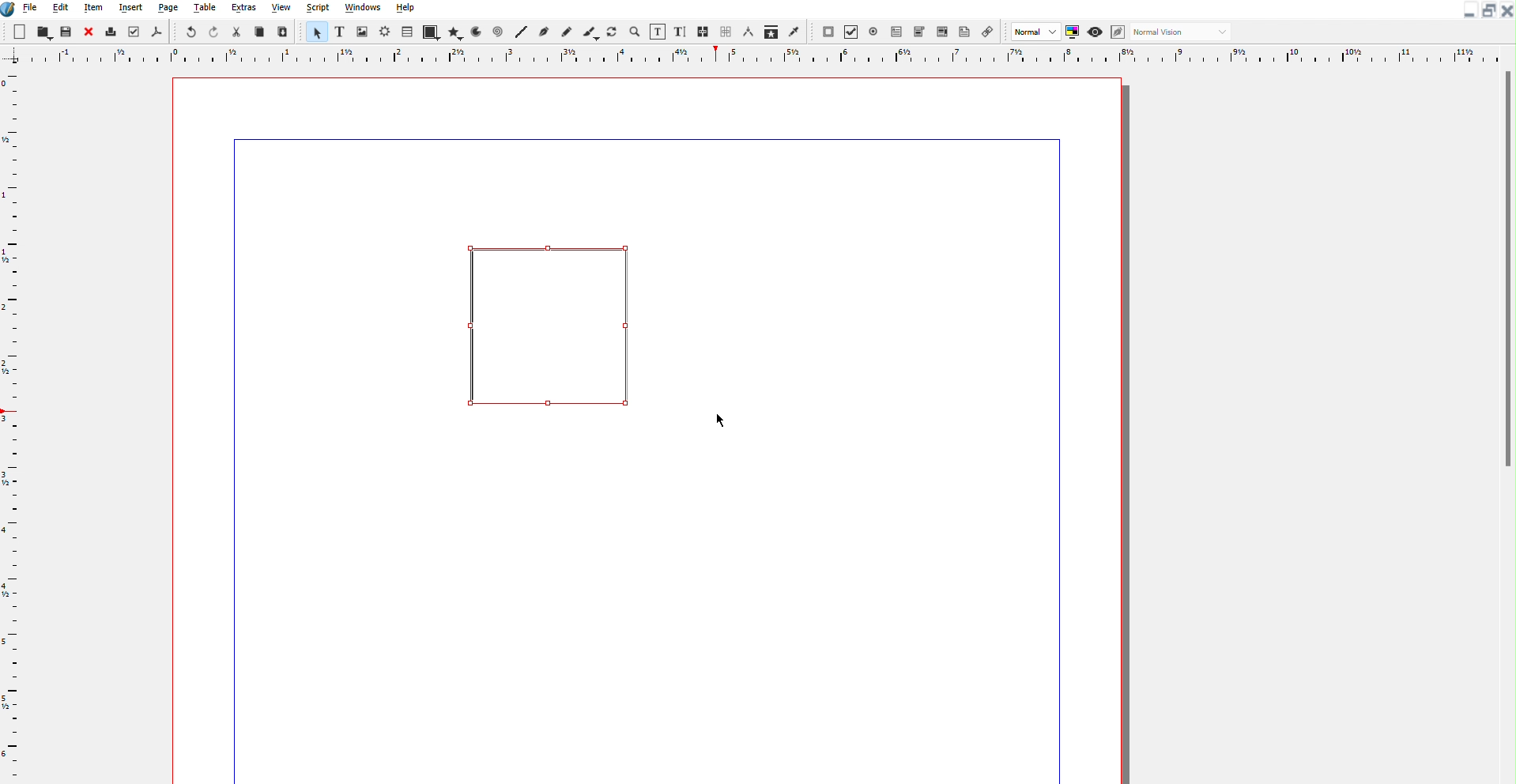  I want to click on New, so click(21, 32).